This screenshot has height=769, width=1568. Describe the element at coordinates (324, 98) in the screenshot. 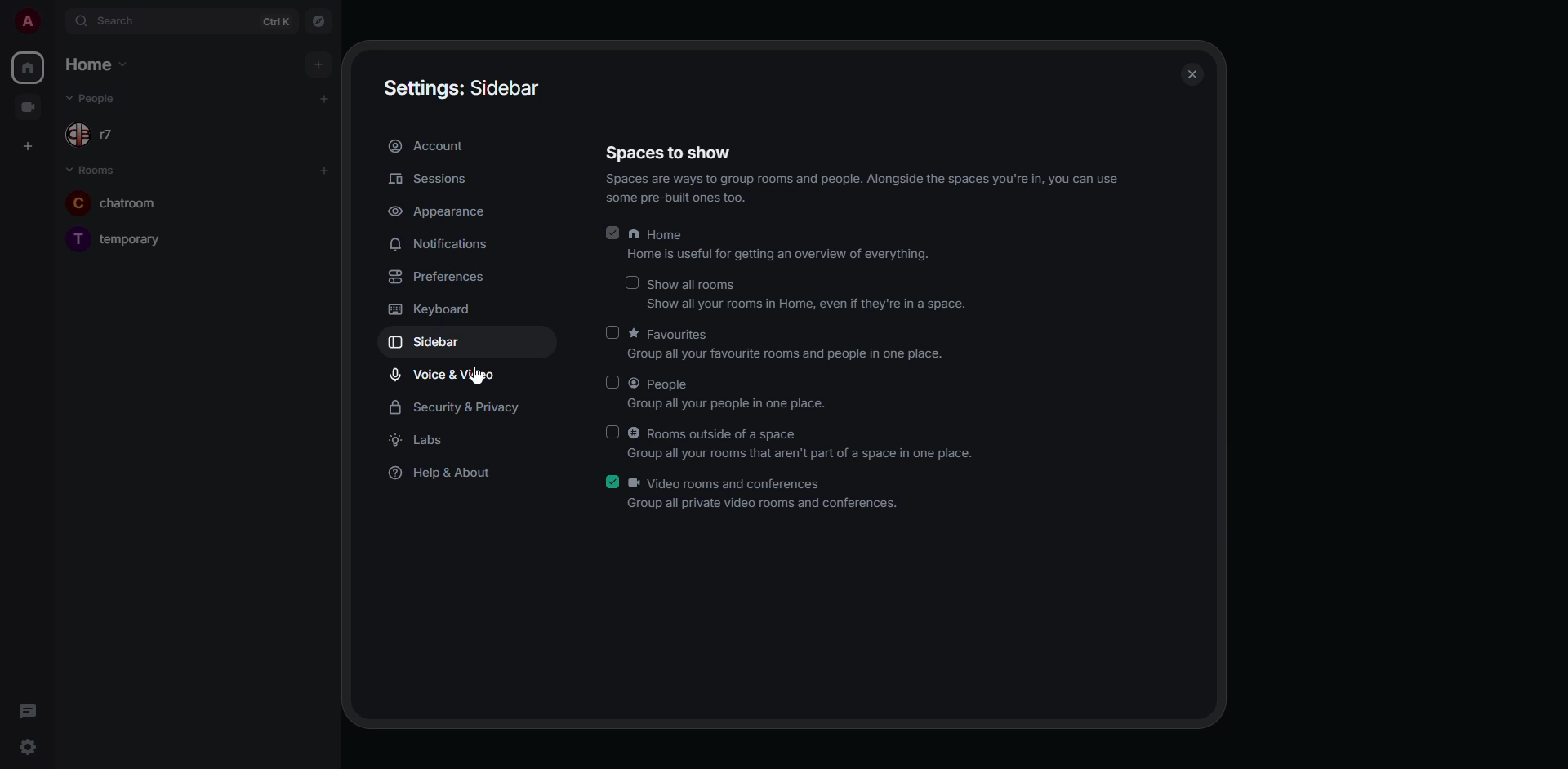

I see `add` at that location.